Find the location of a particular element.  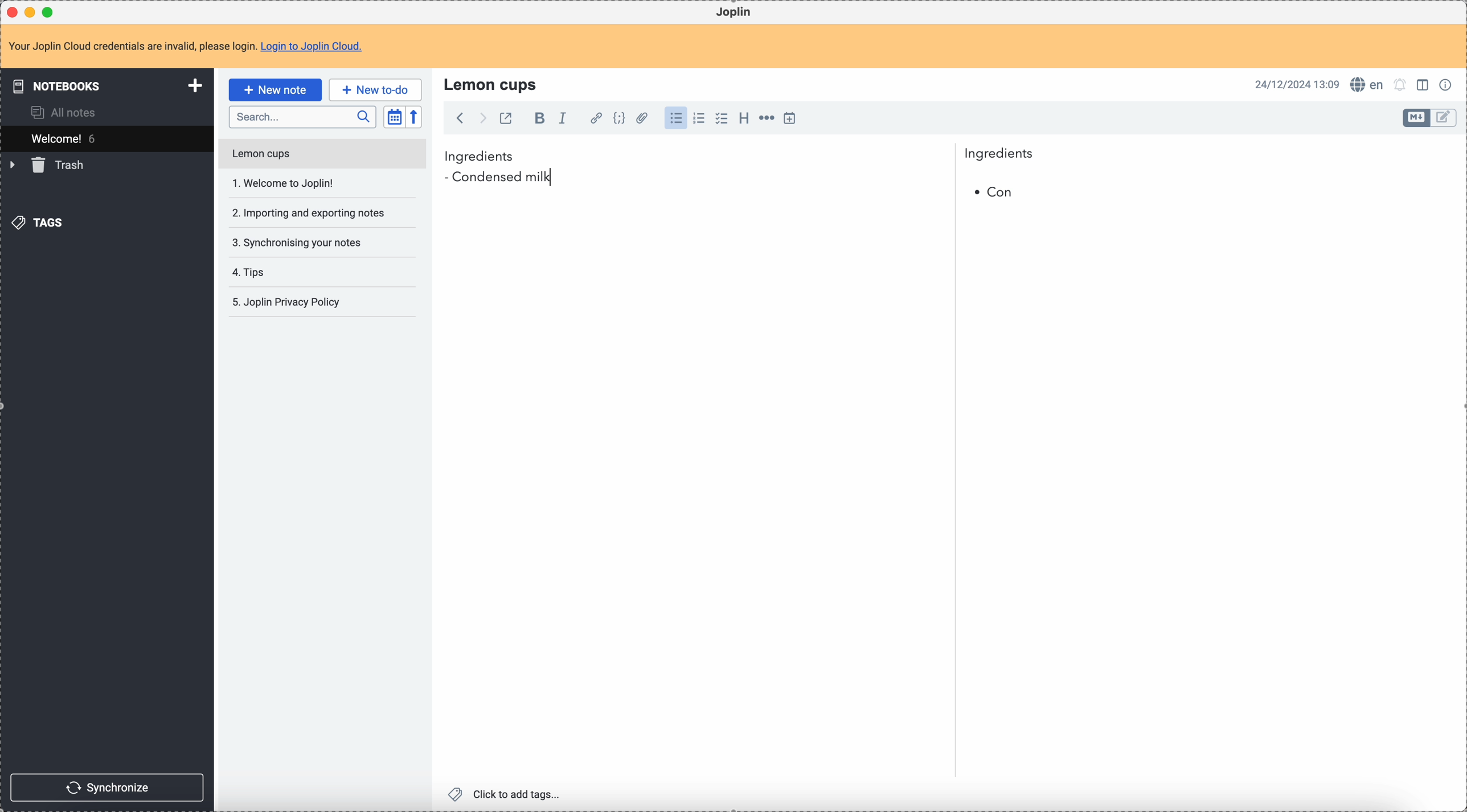

date and hour is located at coordinates (1297, 84).